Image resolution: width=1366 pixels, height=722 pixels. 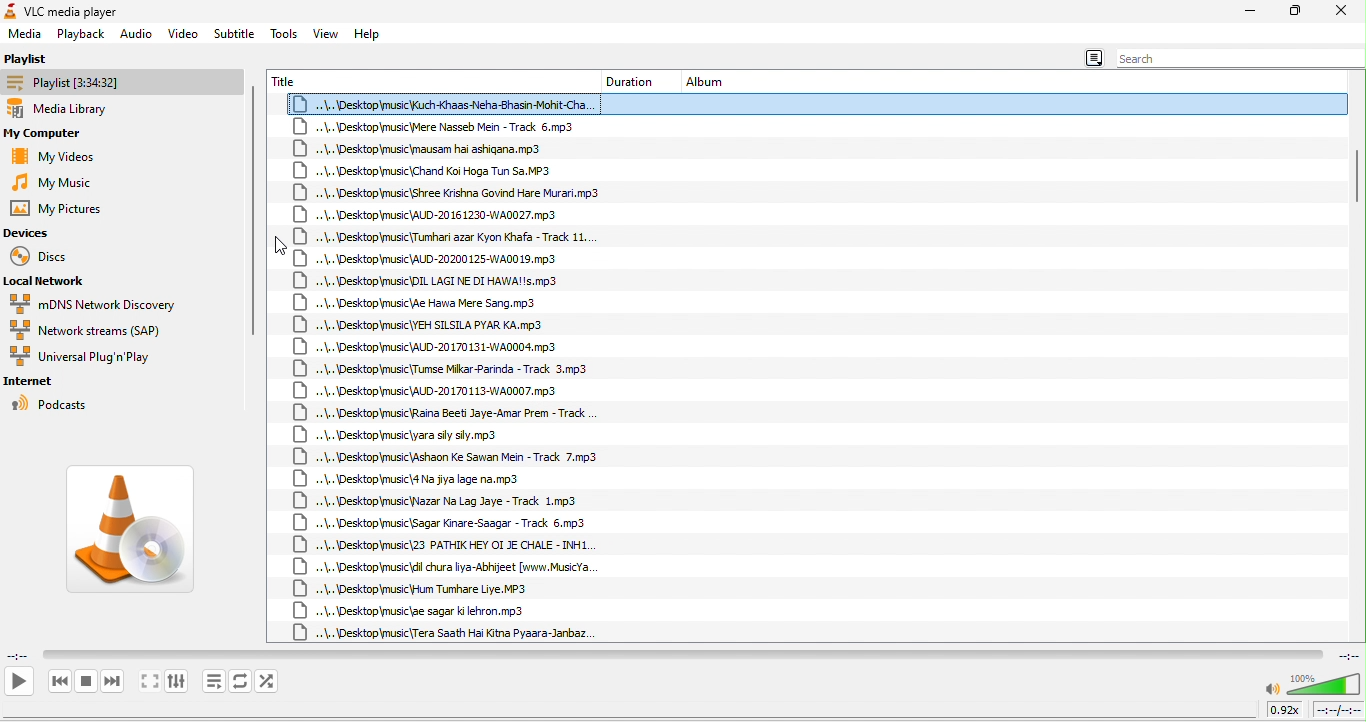 I want to click on devices, so click(x=35, y=234).